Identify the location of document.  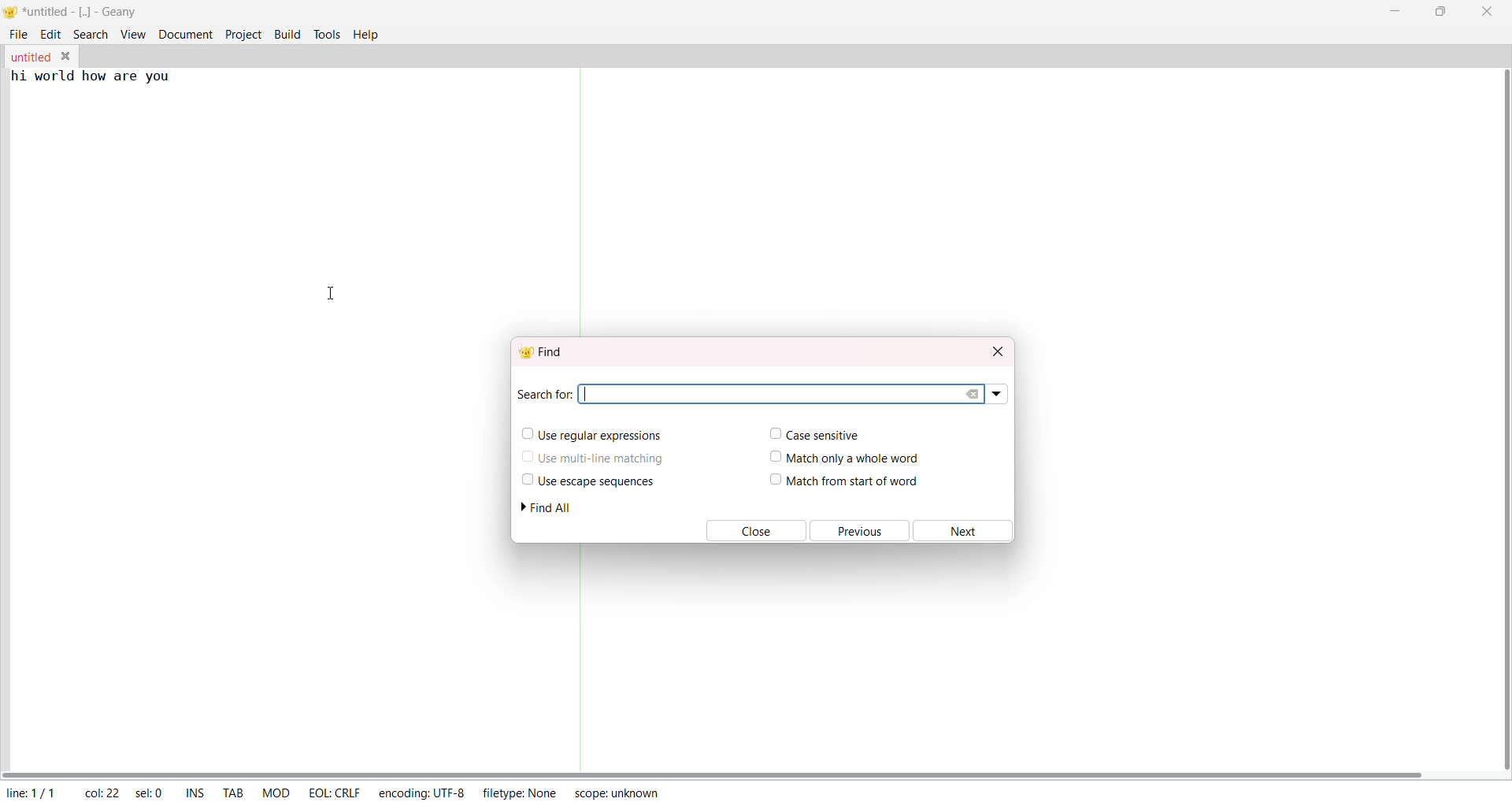
(183, 34).